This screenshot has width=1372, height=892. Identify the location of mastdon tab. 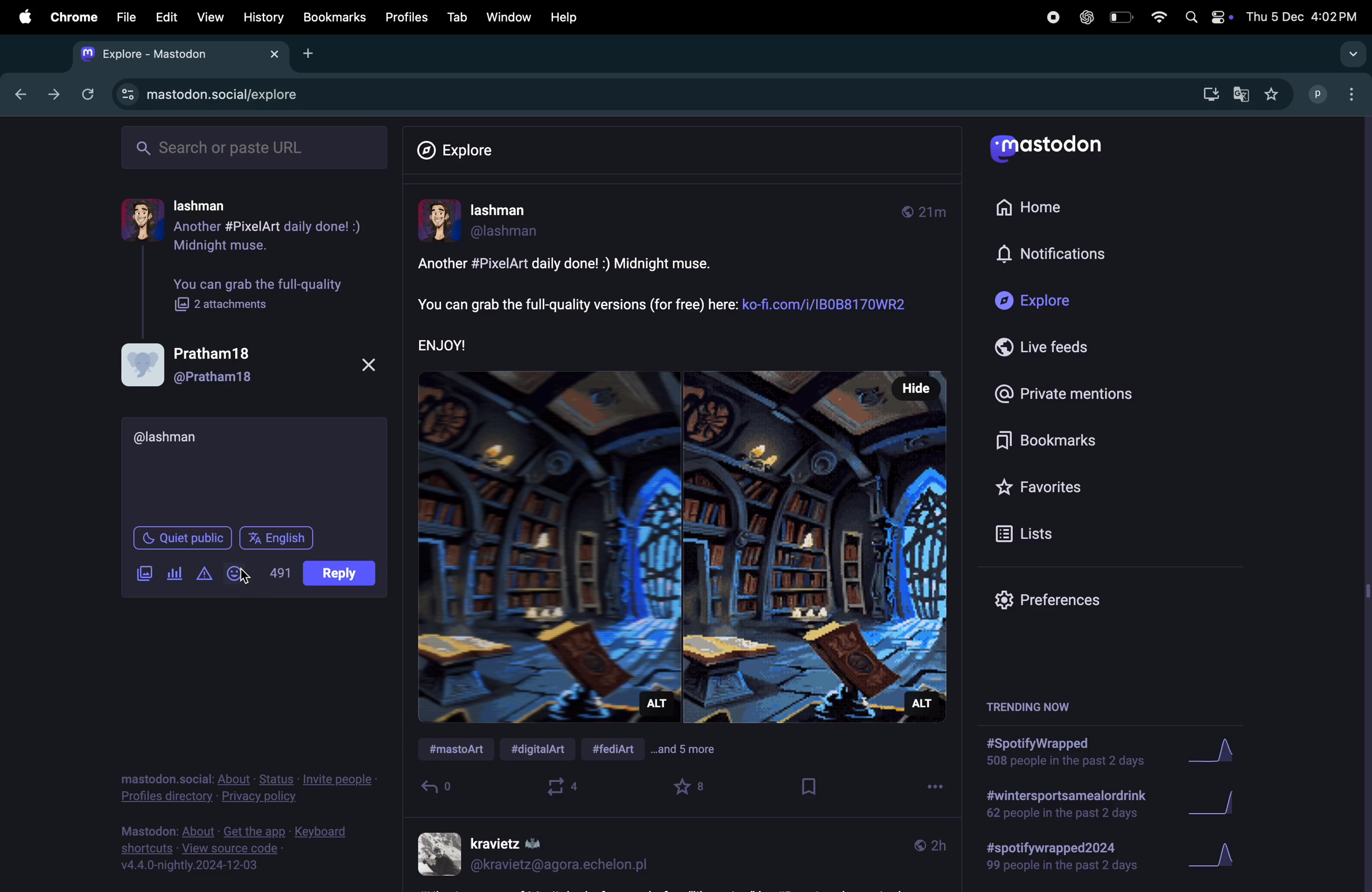
(186, 55).